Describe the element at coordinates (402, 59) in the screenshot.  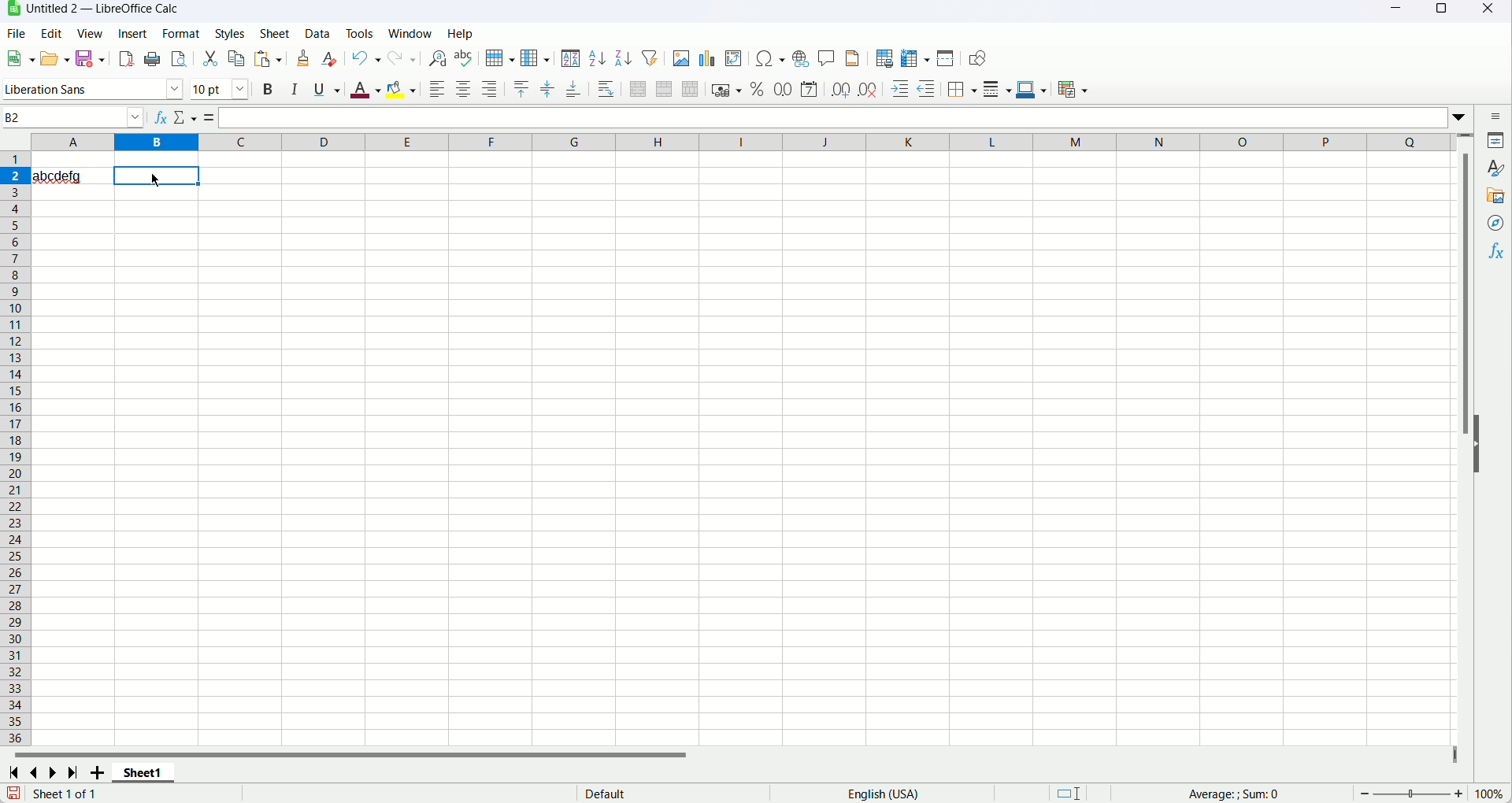
I see `redo` at that location.